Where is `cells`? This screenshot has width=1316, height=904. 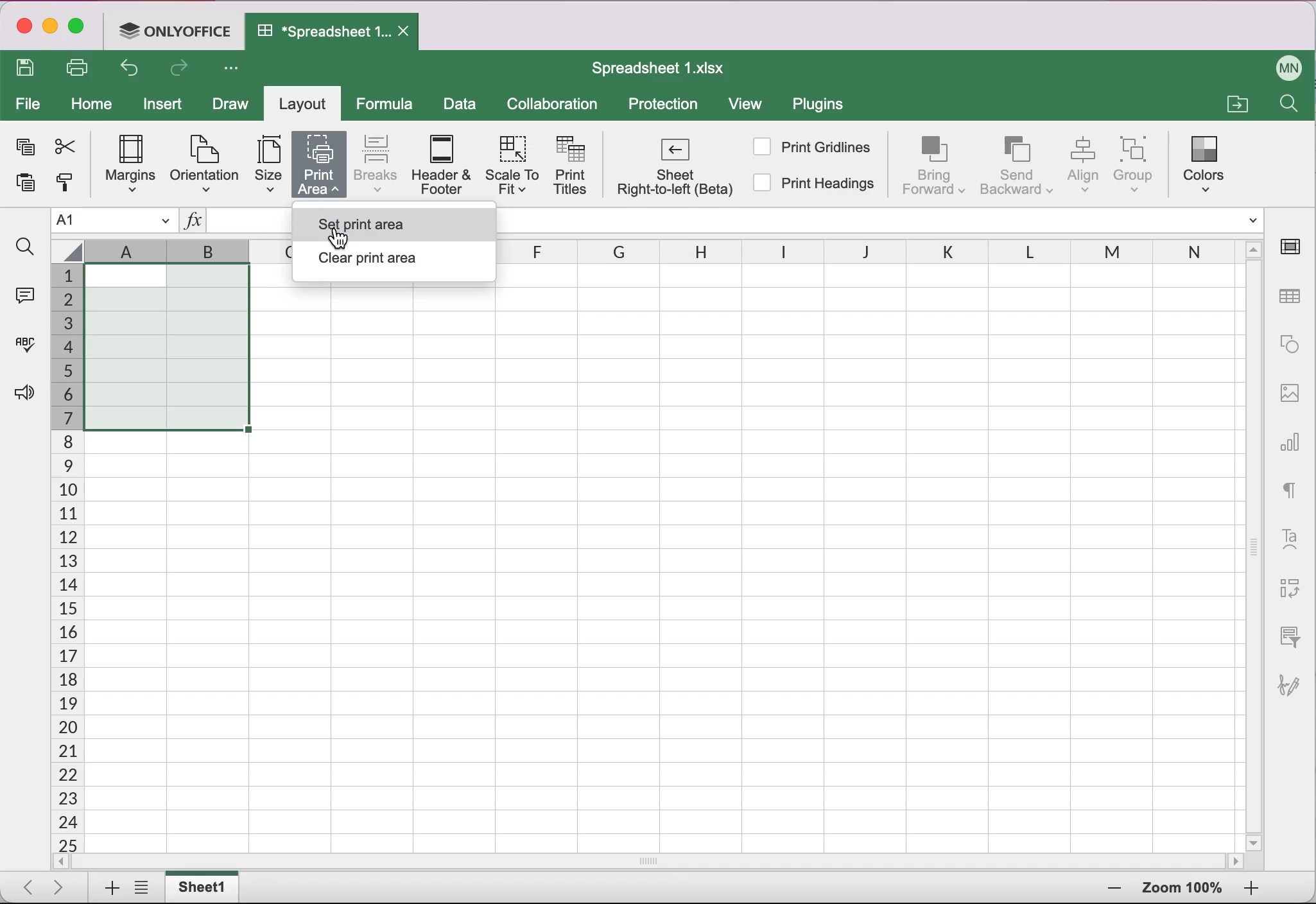 cells is located at coordinates (777, 566).